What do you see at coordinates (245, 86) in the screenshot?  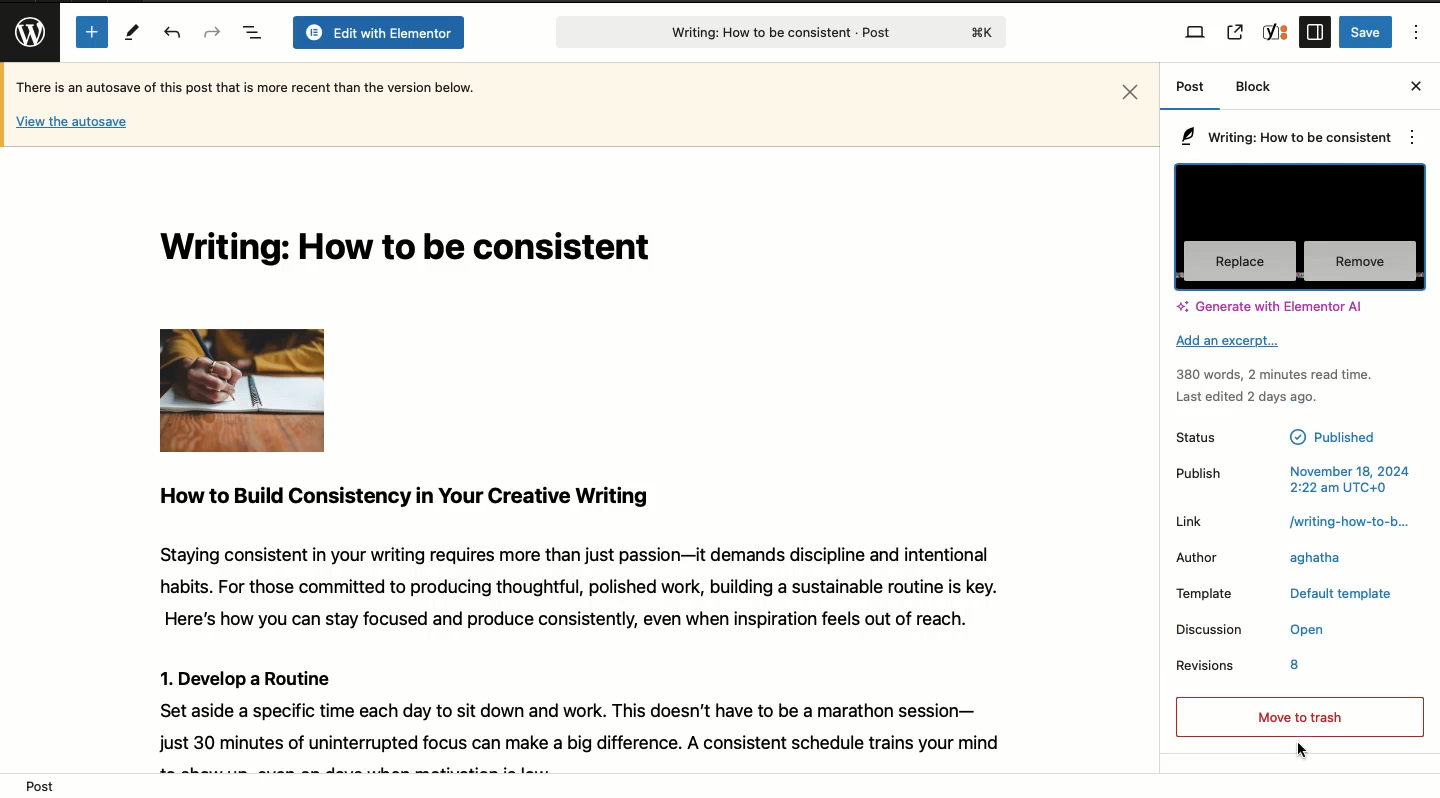 I see `There is an autosave of this post that is more recent than the version below.` at bounding box center [245, 86].